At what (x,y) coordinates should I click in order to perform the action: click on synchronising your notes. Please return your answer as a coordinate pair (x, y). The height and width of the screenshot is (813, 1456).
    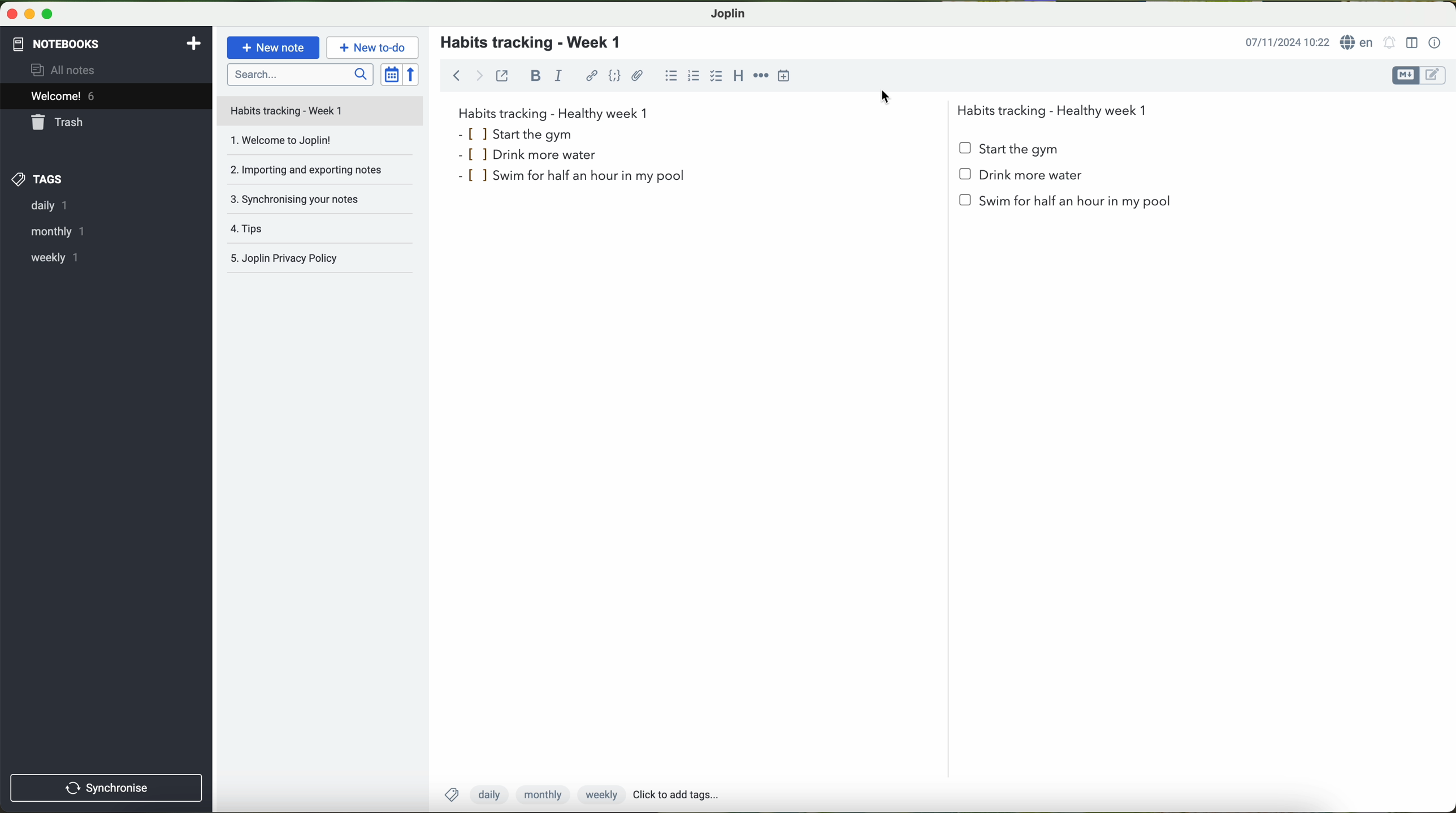
    Looking at the image, I should click on (324, 203).